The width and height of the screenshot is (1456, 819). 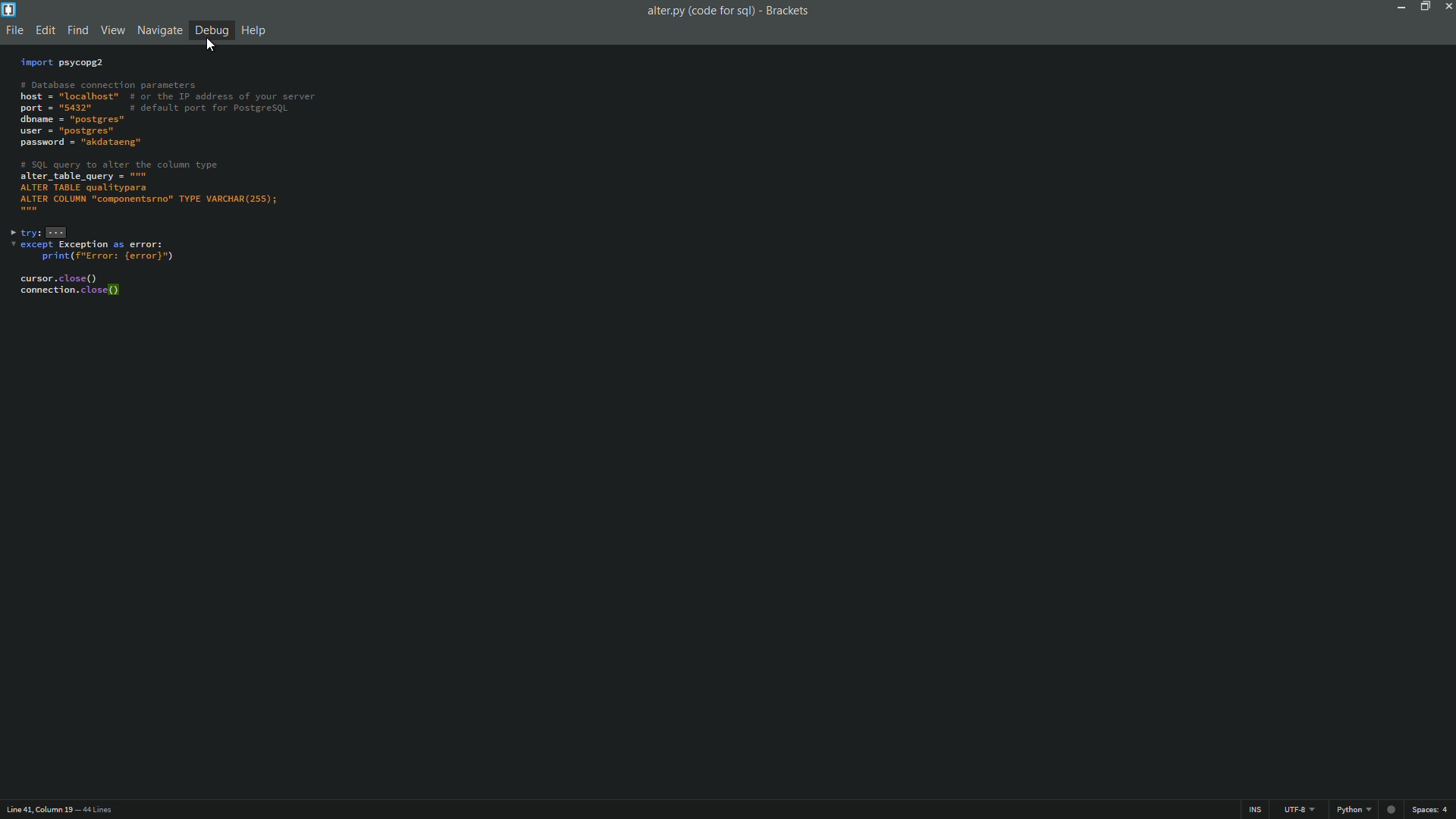 What do you see at coordinates (1398, 8) in the screenshot?
I see `minimize` at bounding box center [1398, 8].